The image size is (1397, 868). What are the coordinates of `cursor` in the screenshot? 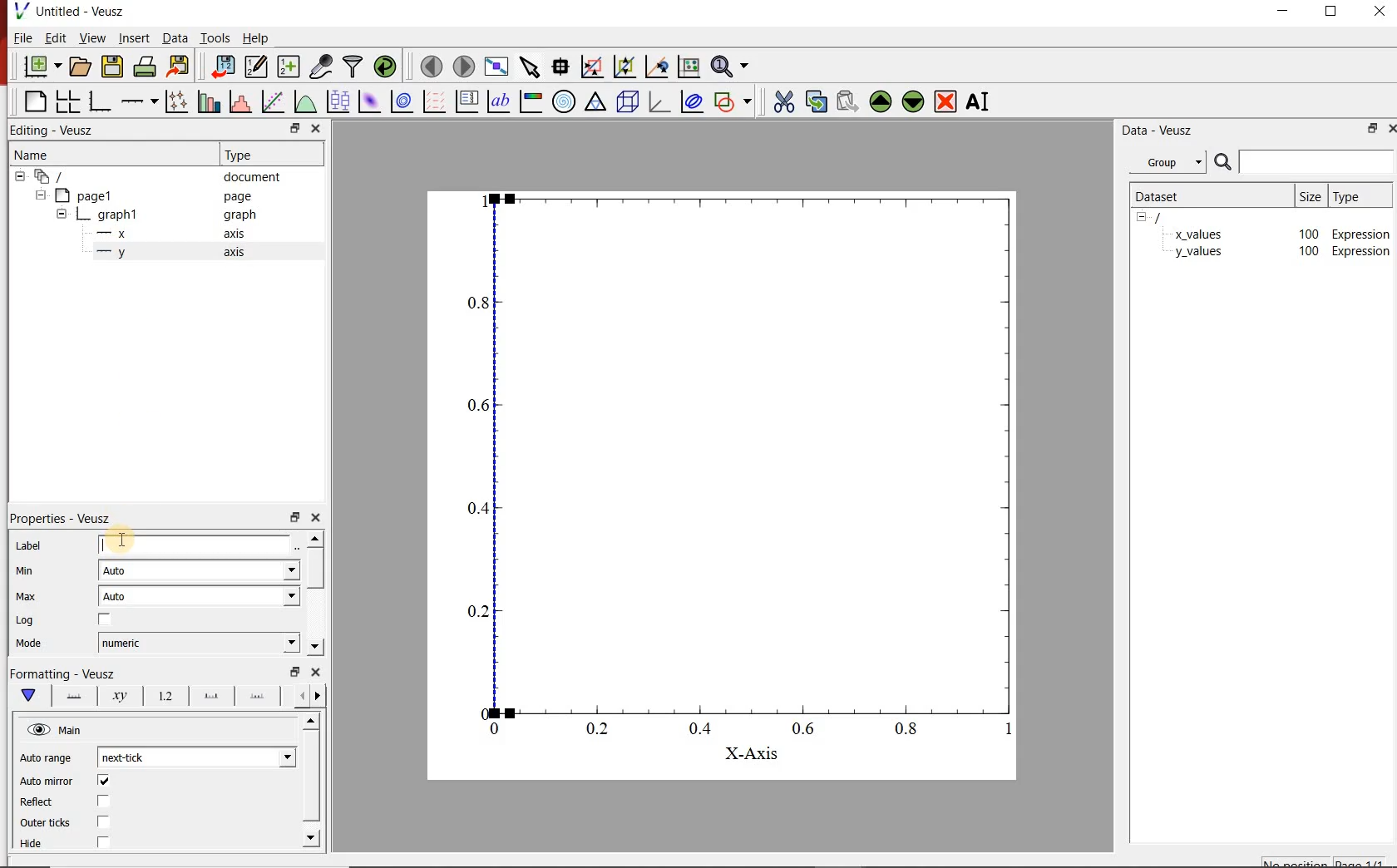 It's located at (117, 545).